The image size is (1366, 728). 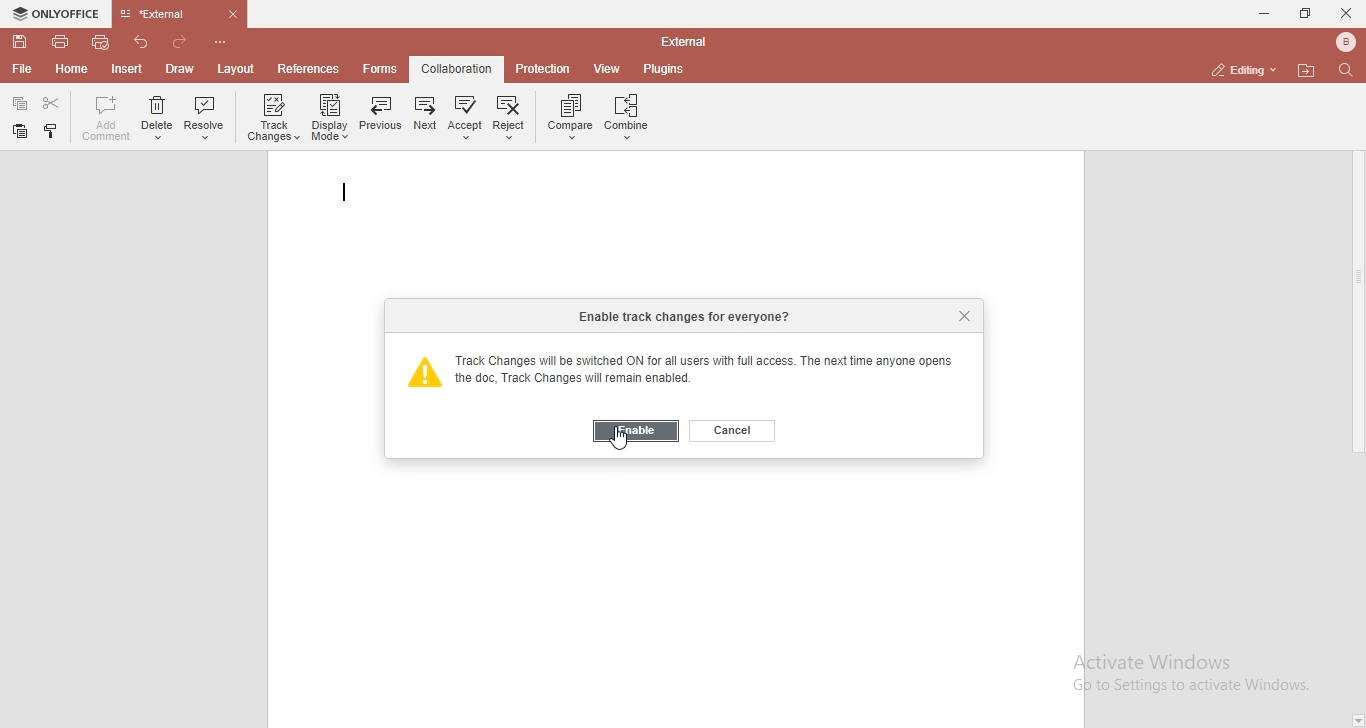 I want to click on add comment, so click(x=103, y=118).